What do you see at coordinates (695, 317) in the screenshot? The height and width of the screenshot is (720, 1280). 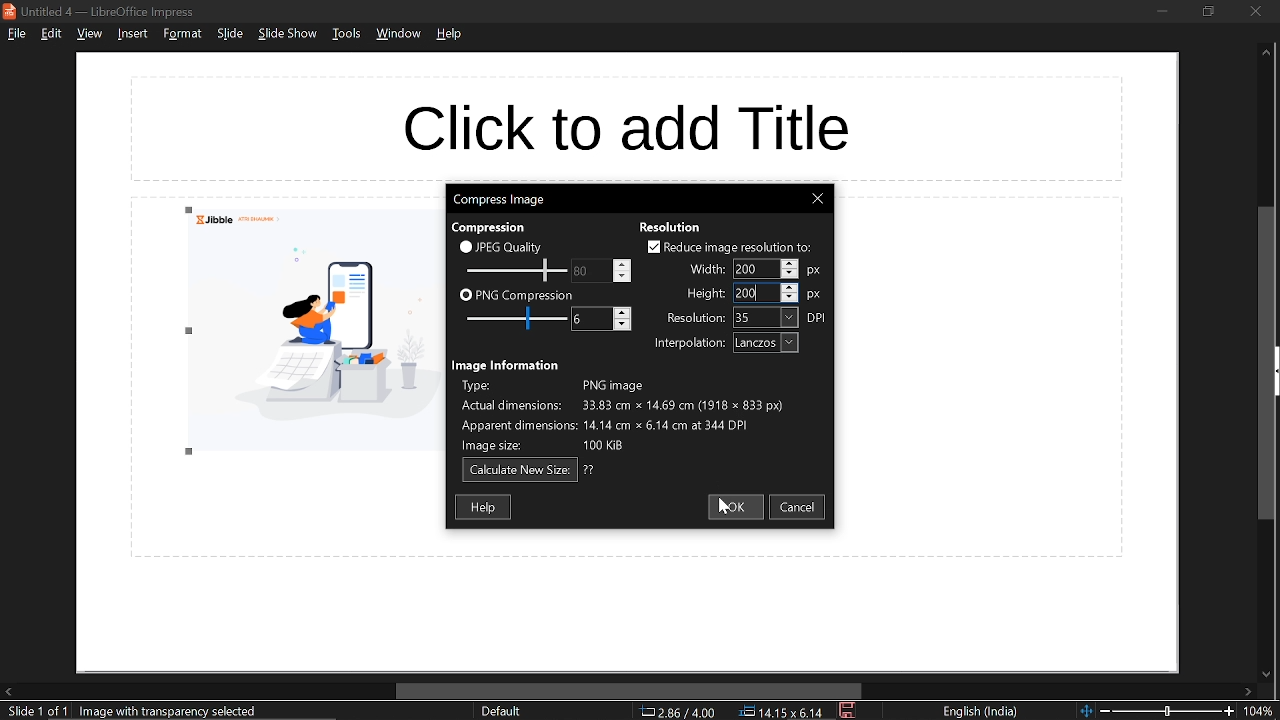 I see `resolution` at bounding box center [695, 317].